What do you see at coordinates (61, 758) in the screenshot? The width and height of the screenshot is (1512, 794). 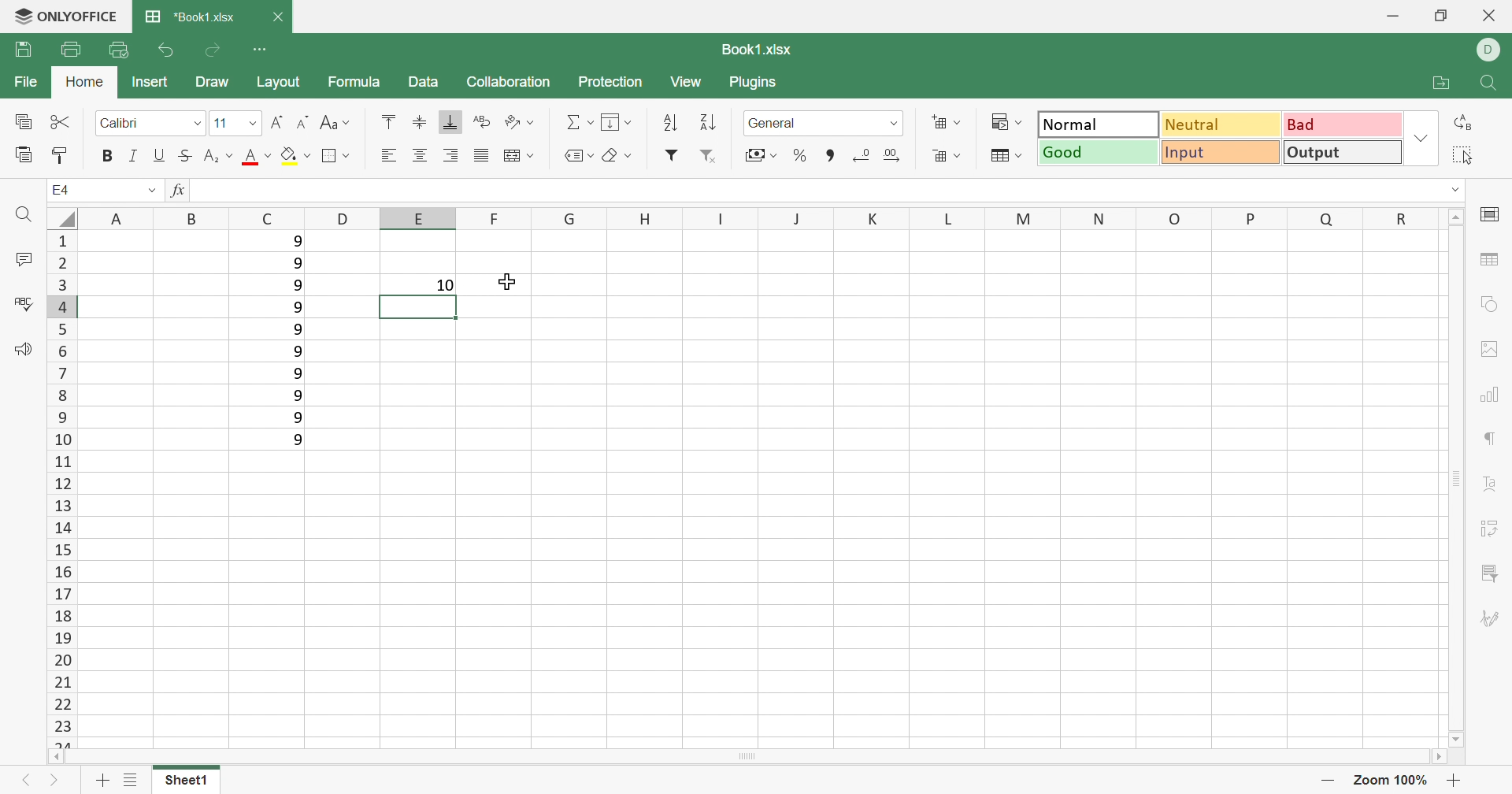 I see `Scroll Left` at bounding box center [61, 758].